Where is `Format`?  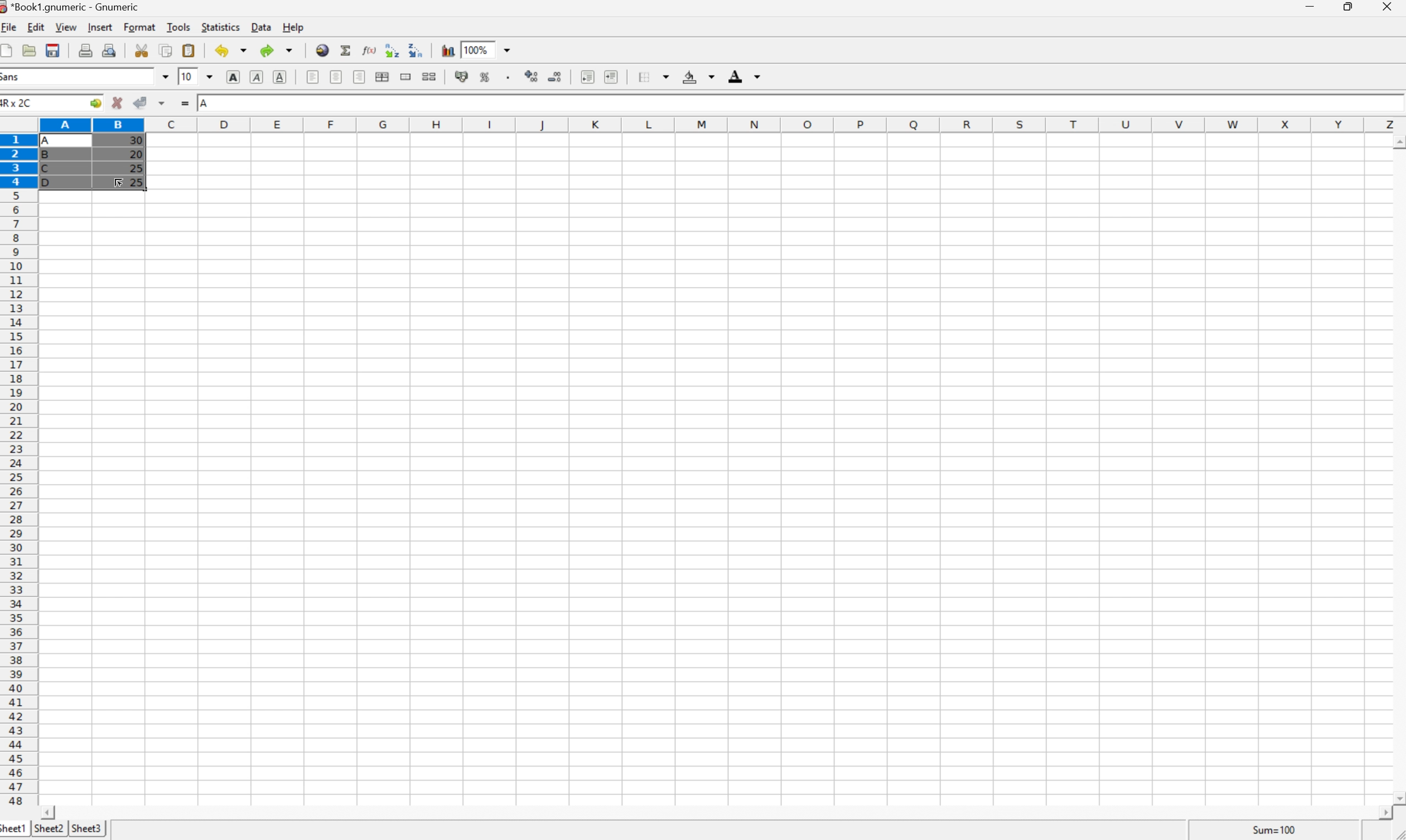
Format is located at coordinates (140, 28).